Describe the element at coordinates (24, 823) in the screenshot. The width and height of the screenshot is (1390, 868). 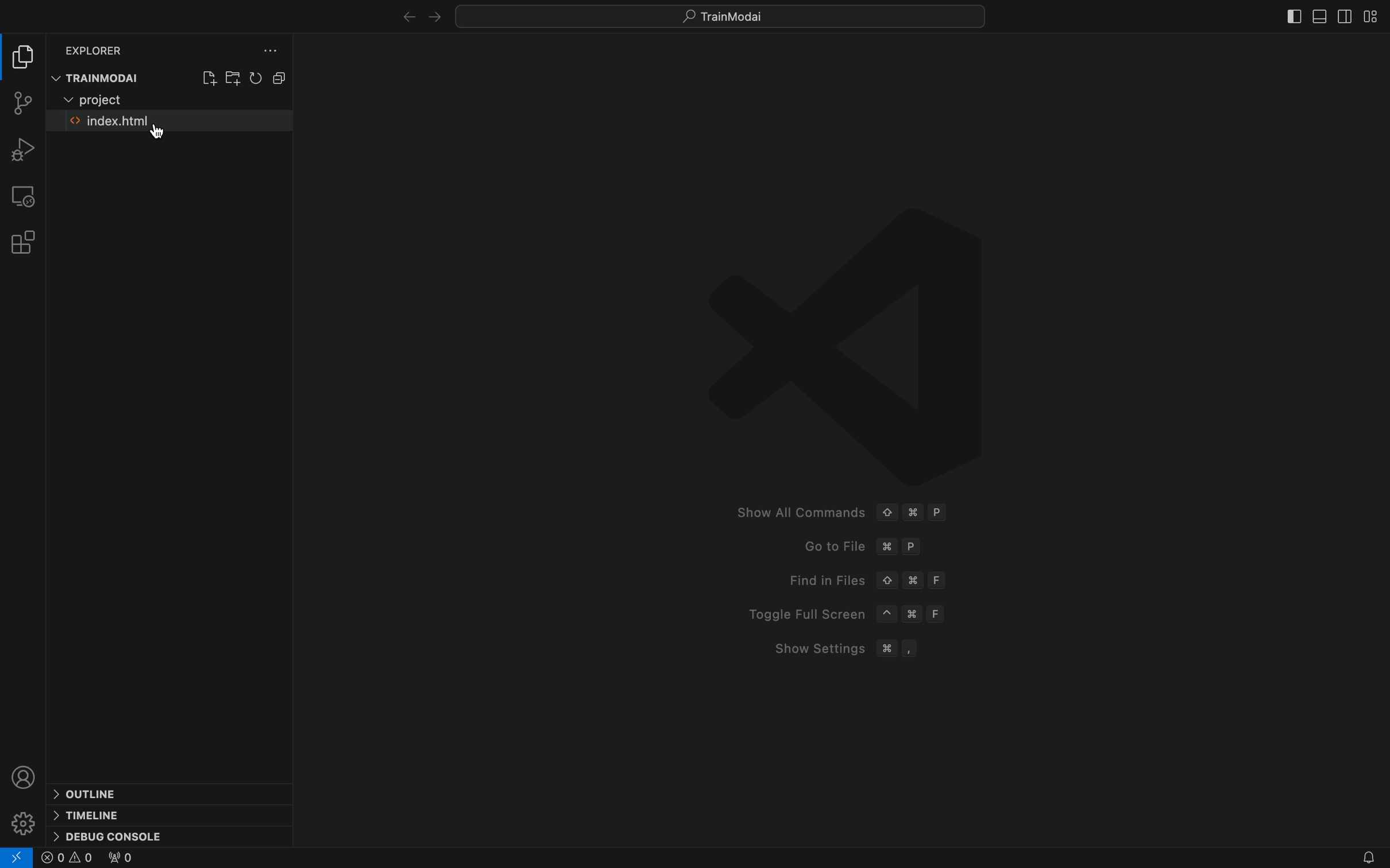
I see `settingd` at that location.